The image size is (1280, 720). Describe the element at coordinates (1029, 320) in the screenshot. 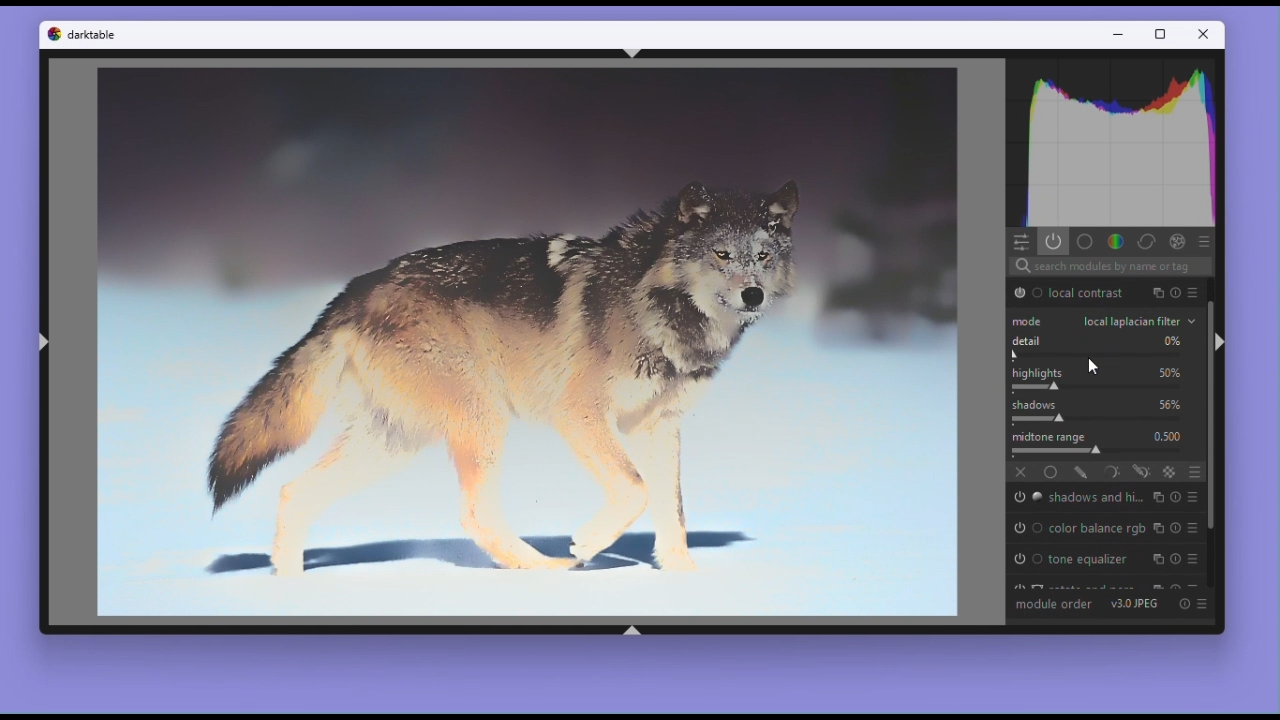

I see `Mode` at that location.